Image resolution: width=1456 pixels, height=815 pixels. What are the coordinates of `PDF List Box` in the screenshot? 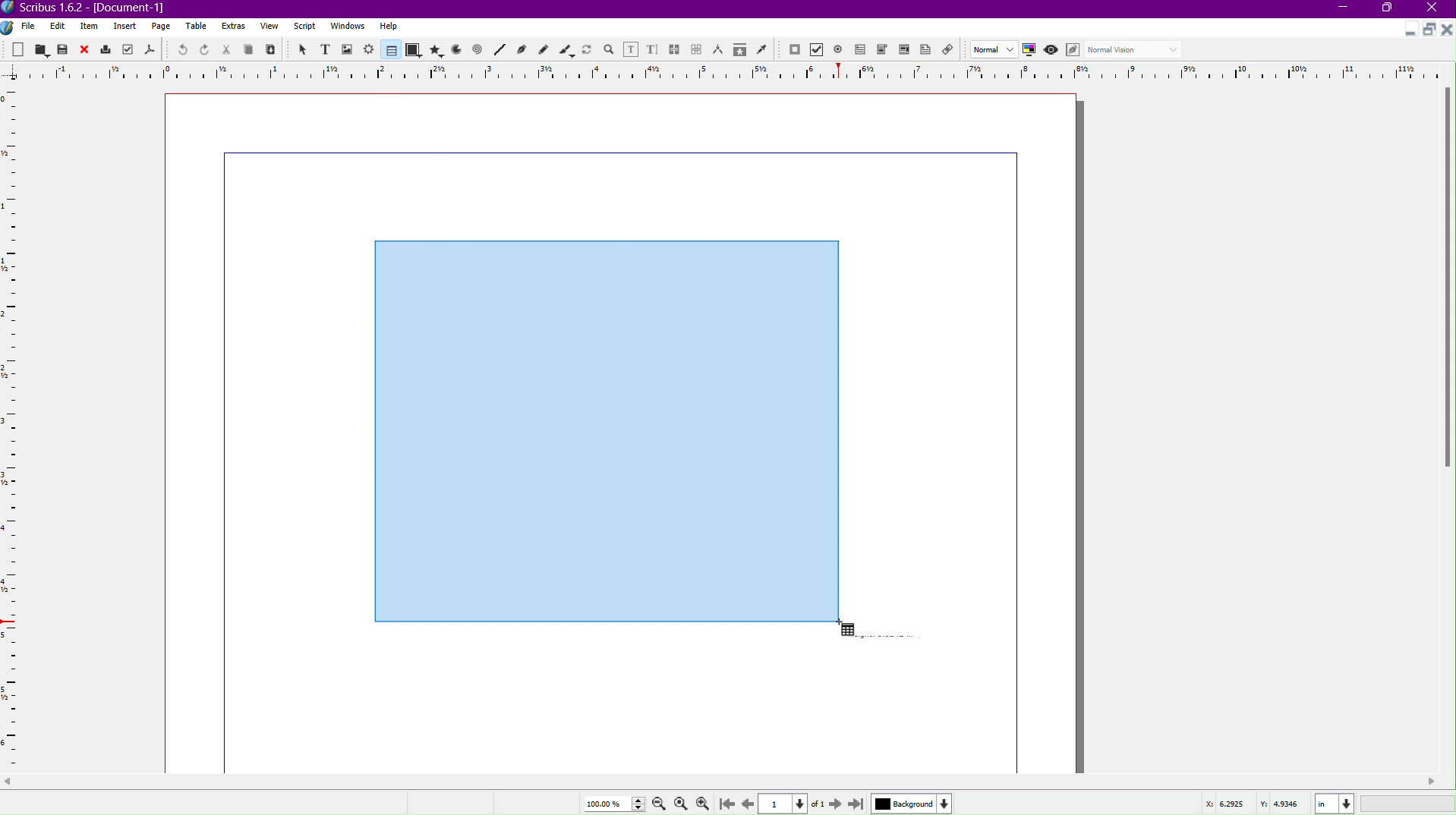 It's located at (903, 52).